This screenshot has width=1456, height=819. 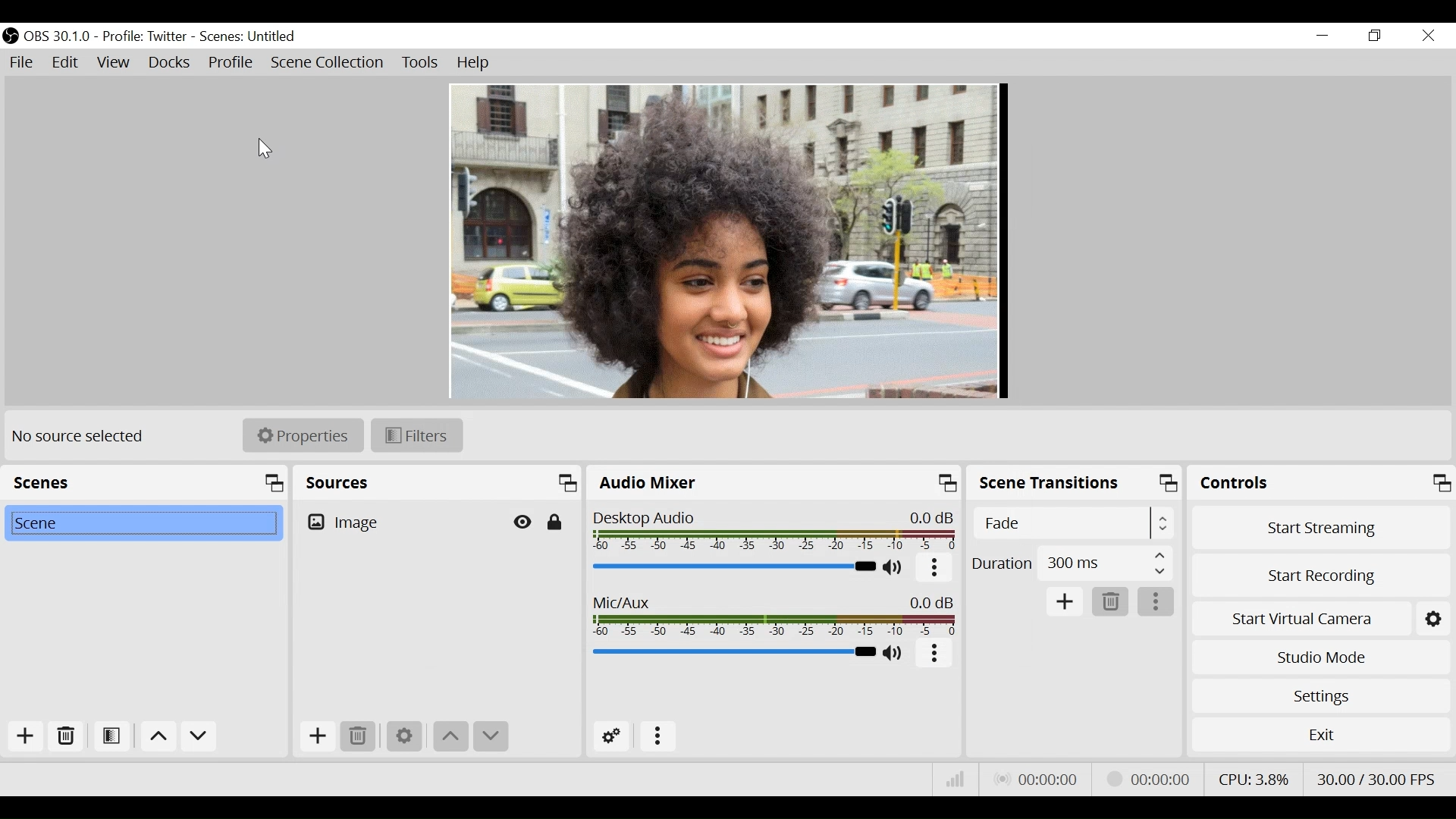 What do you see at coordinates (1066, 603) in the screenshot?
I see `Add` at bounding box center [1066, 603].